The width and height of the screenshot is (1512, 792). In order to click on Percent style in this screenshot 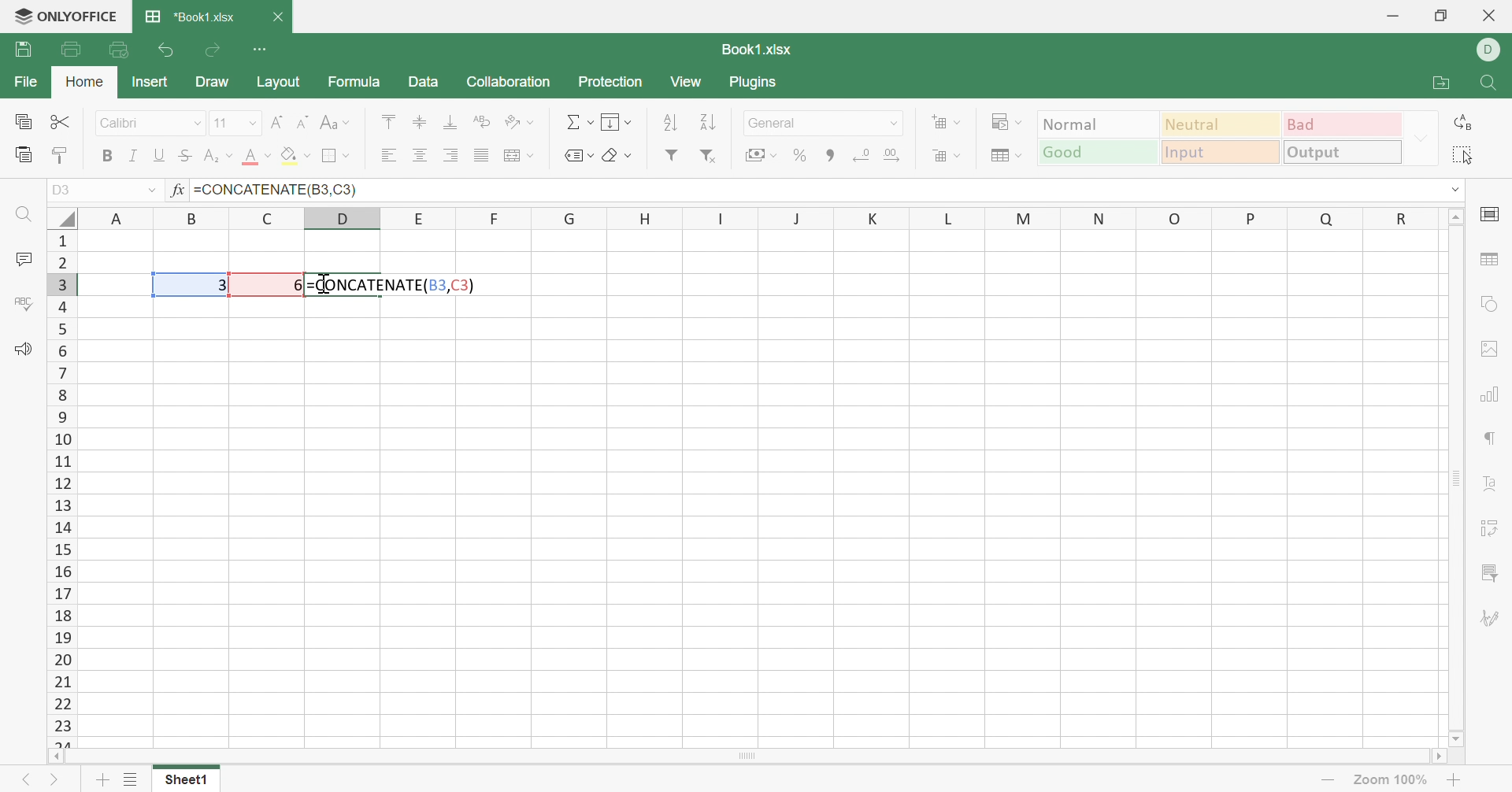, I will do `click(801, 156)`.